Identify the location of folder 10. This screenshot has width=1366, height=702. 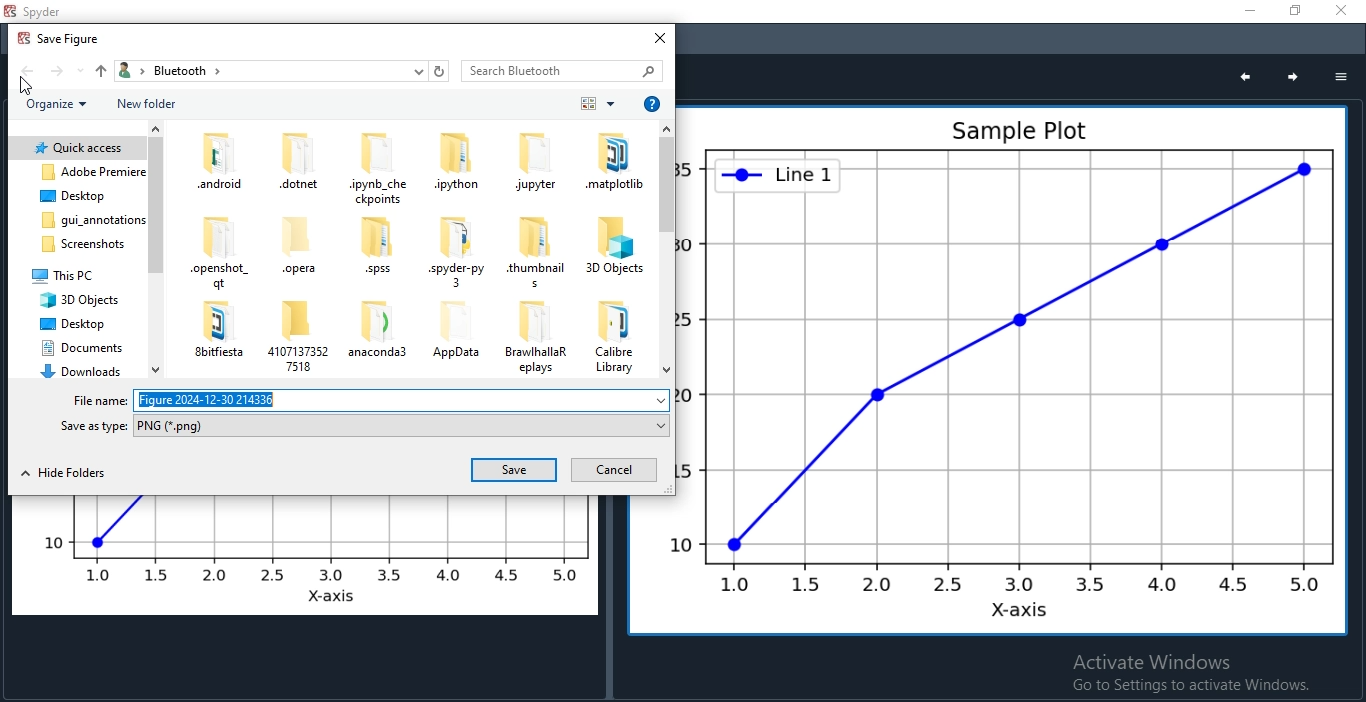
(80, 370).